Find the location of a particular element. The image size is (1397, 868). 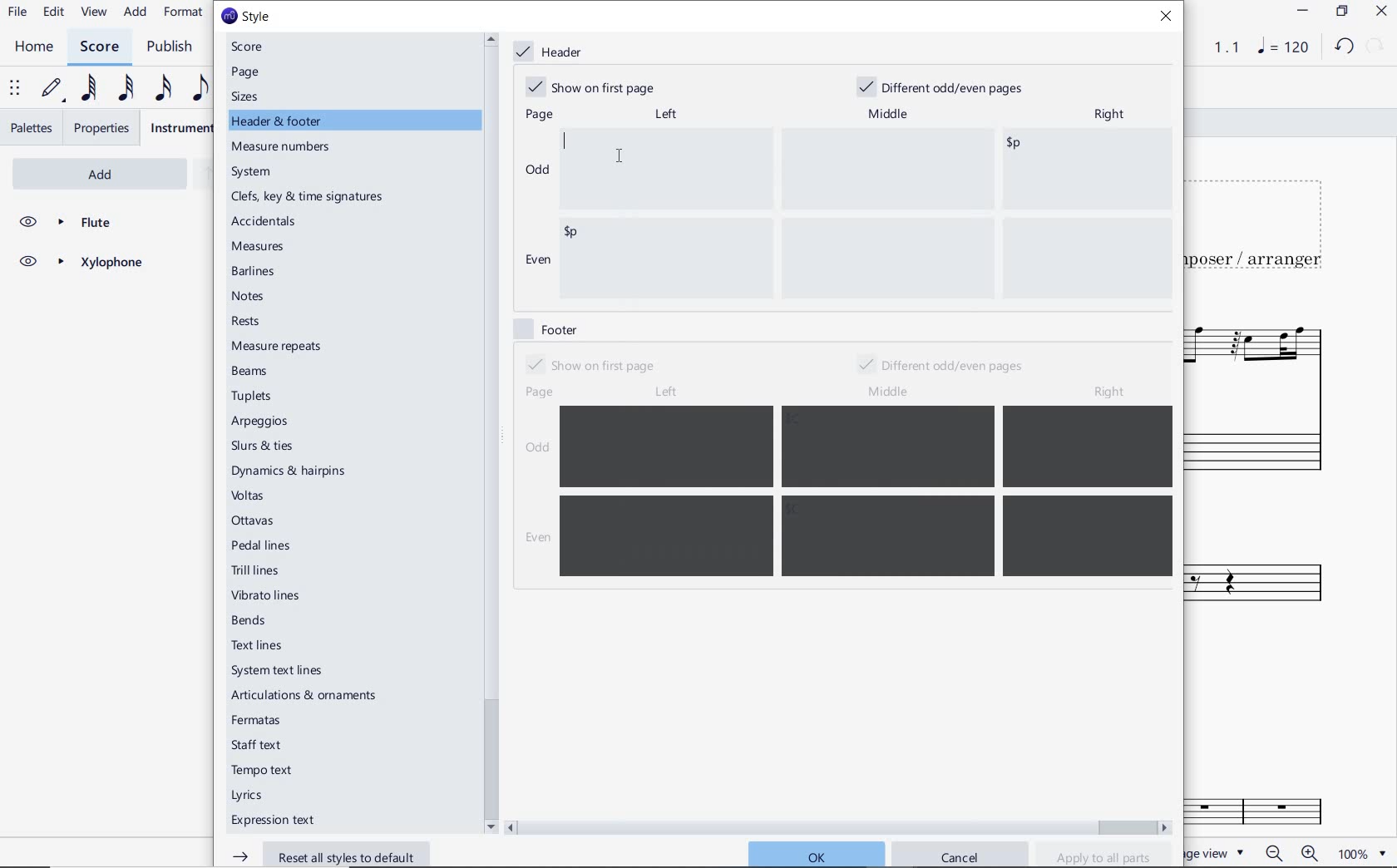

SELECT TO MOVE is located at coordinates (15, 89).